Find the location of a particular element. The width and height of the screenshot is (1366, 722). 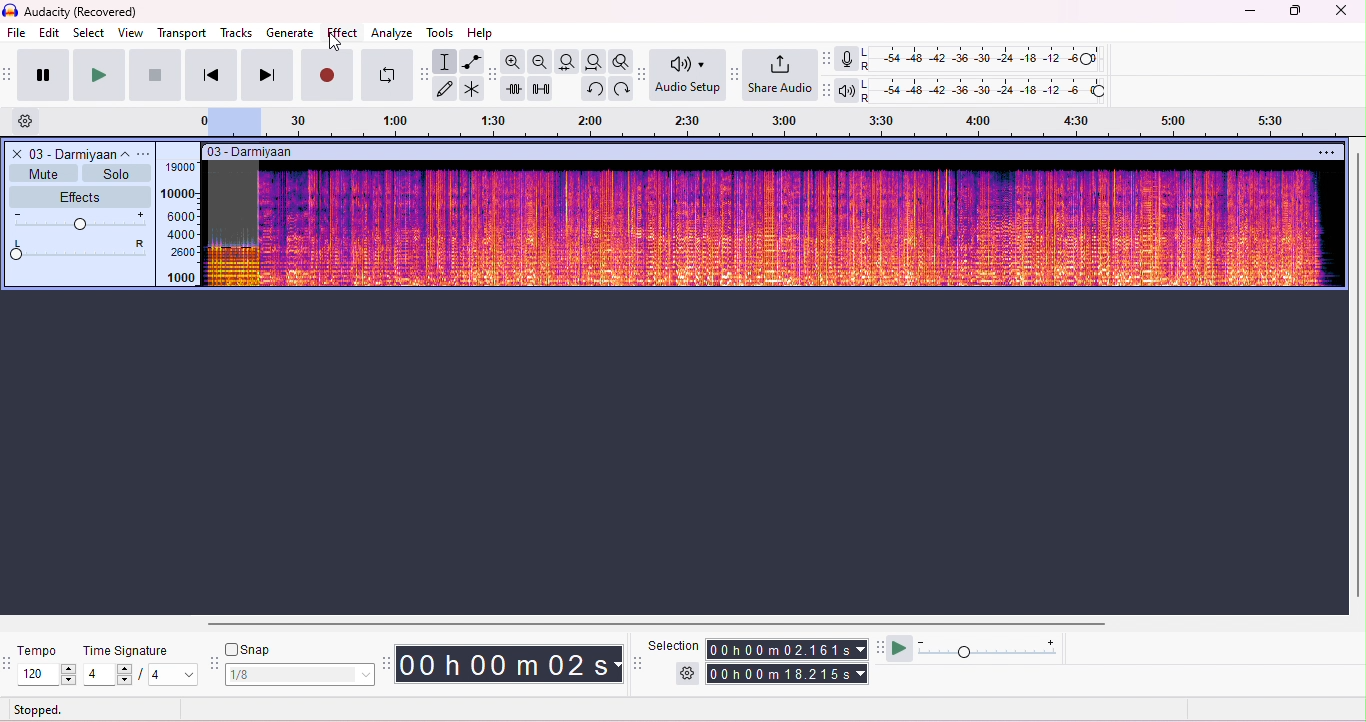

trim outside selection is located at coordinates (515, 88).